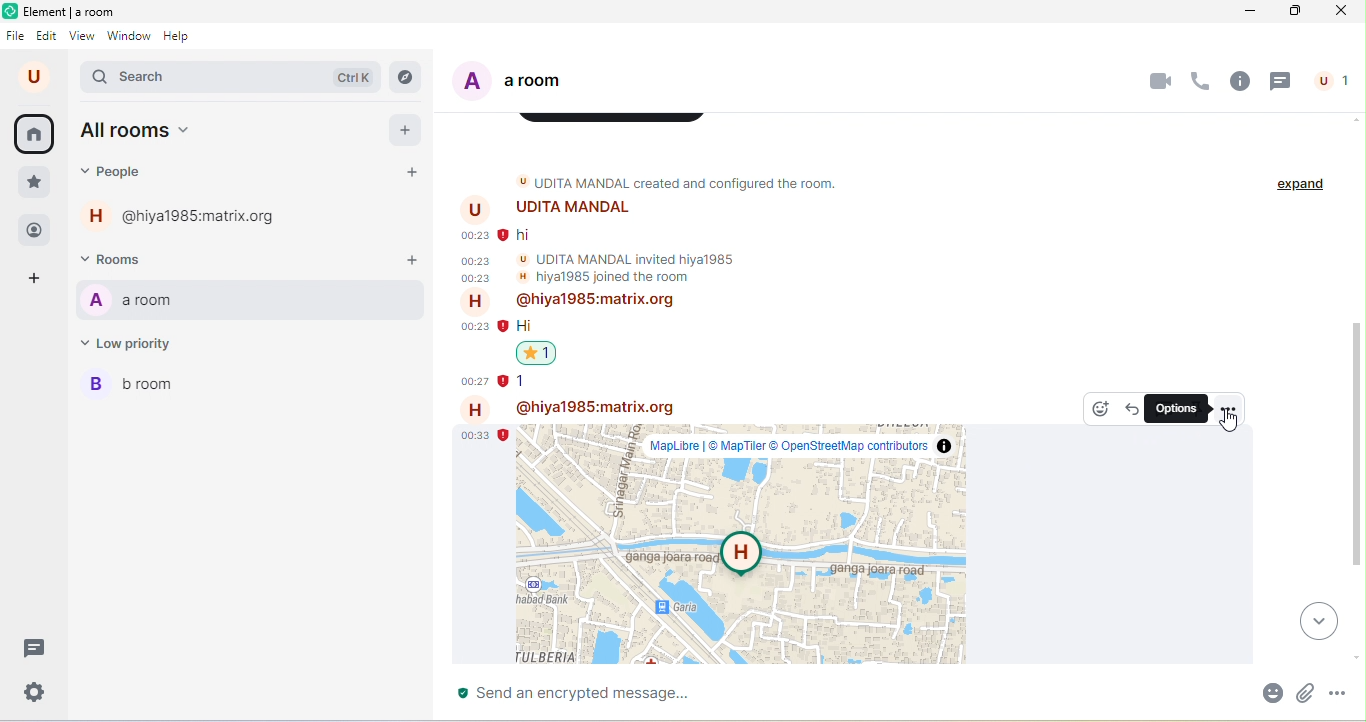  I want to click on react, so click(1100, 409).